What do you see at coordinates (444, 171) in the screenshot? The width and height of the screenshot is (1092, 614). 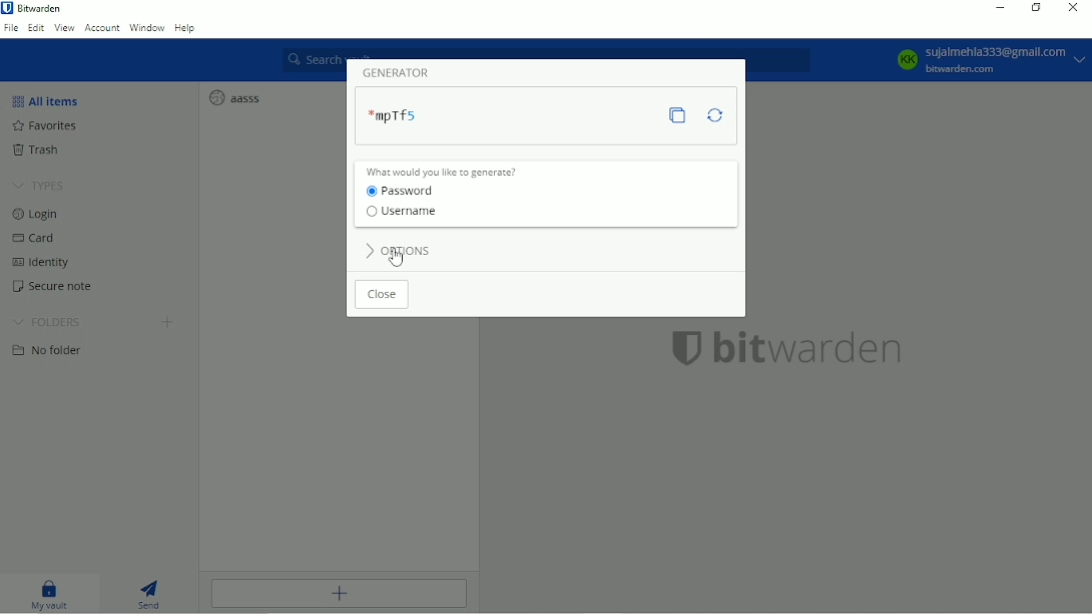 I see `What would you like to generate?` at bounding box center [444, 171].